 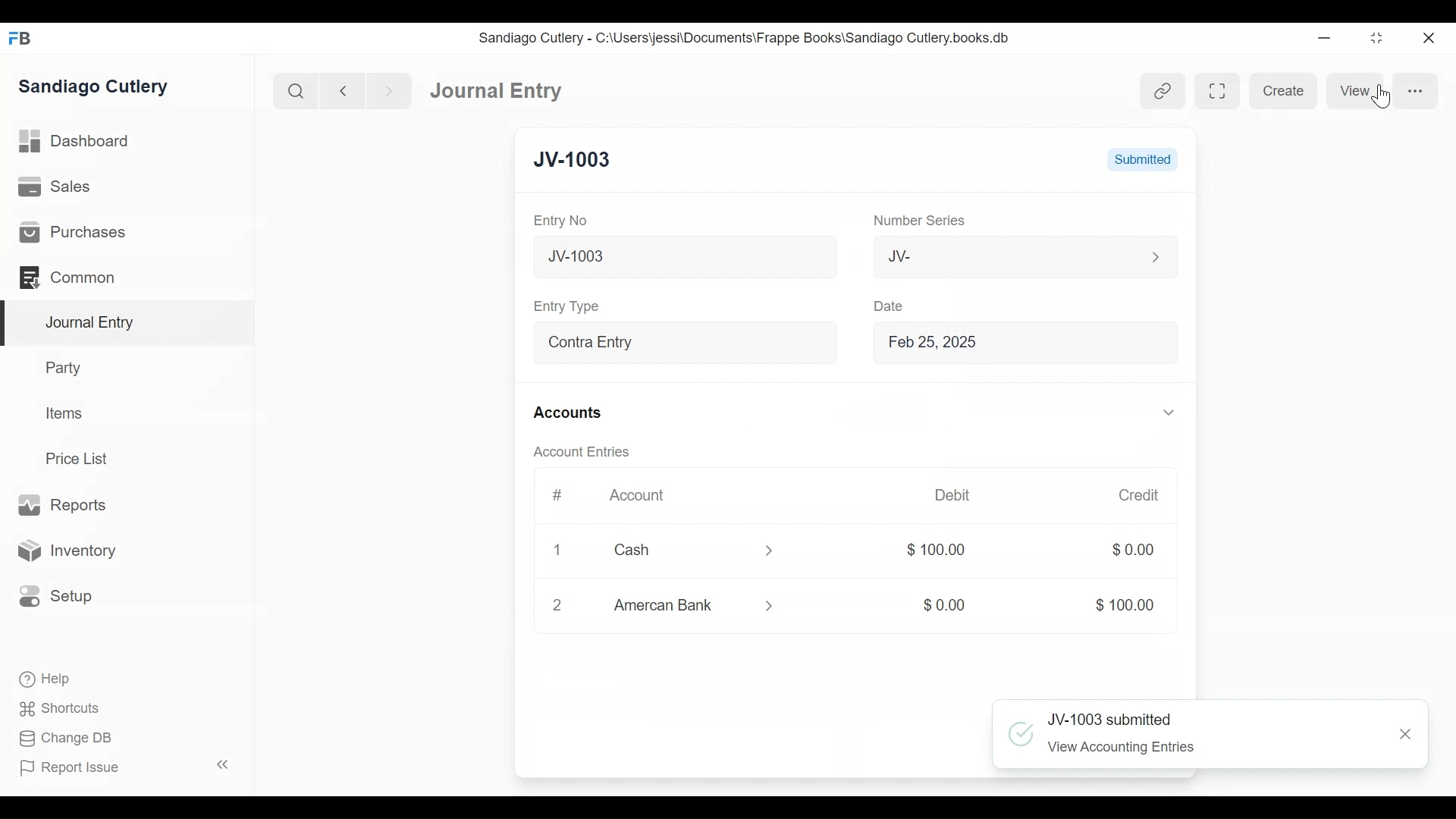 What do you see at coordinates (66, 415) in the screenshot?
I see `Items` at bounding box center [66, 415].